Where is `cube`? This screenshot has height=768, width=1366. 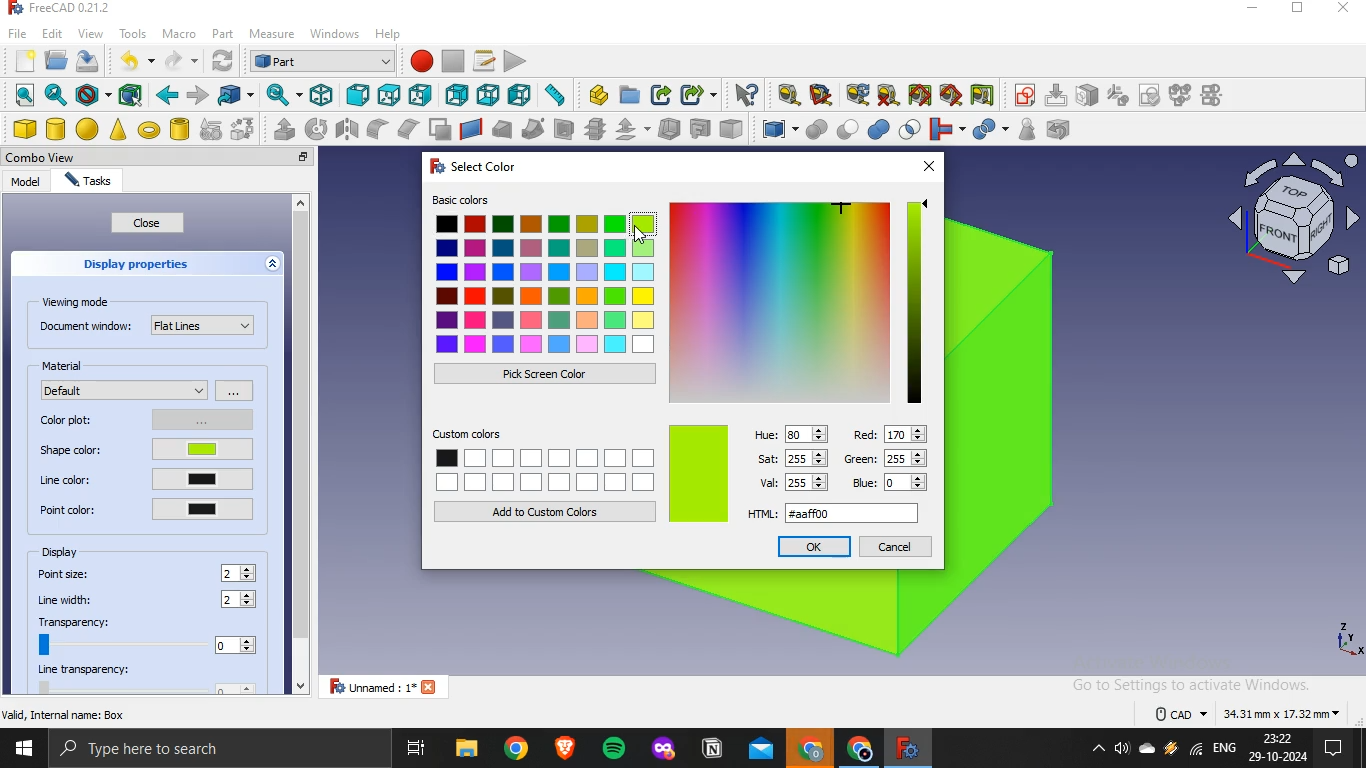 cube is located at coordinates (24, 129).